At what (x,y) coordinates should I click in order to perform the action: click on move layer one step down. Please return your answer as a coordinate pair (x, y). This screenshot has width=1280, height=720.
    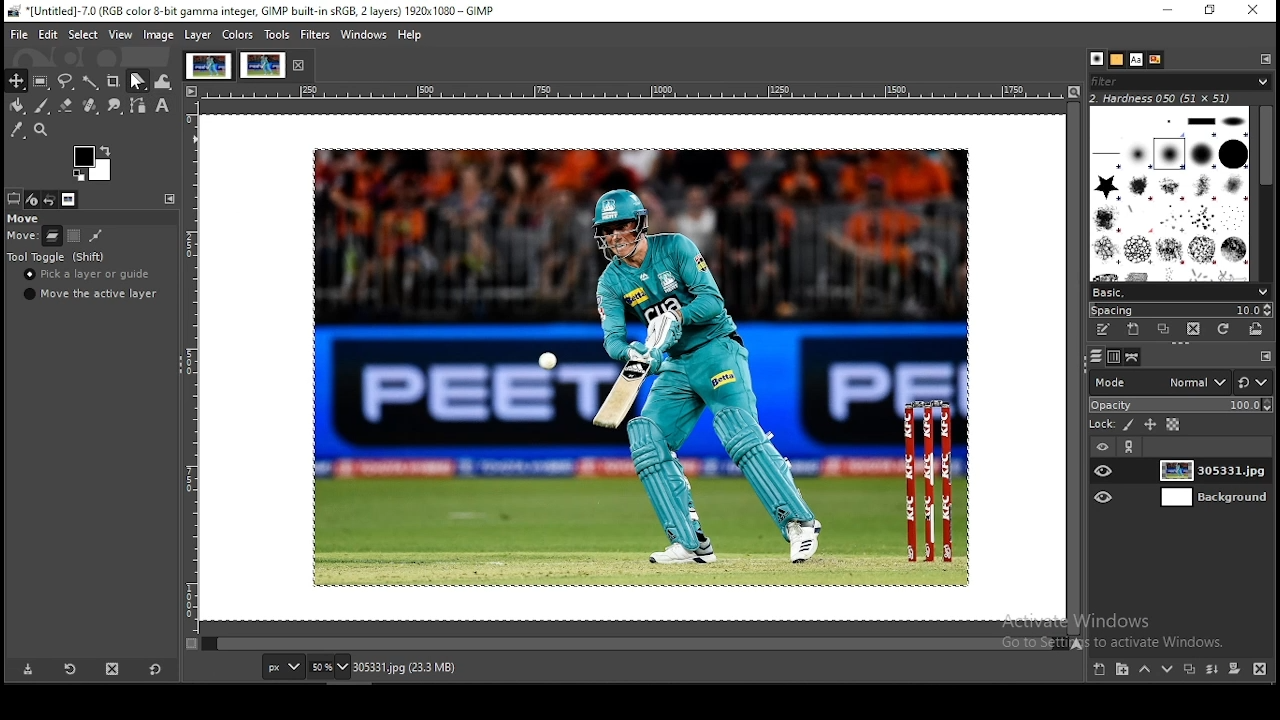
    Looking at the image, I should click on (1169, 670).